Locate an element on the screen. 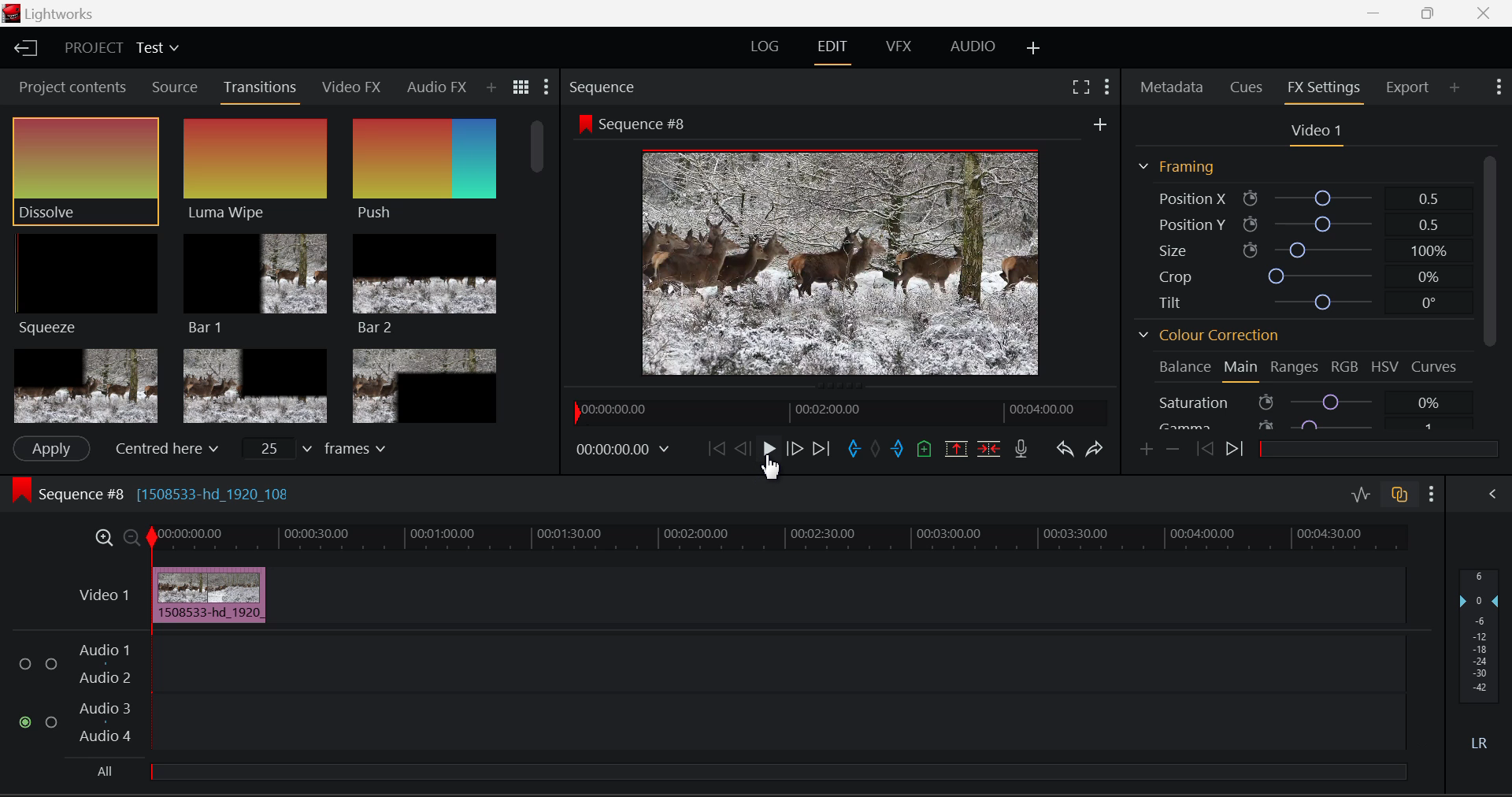 Image resolution: width=1512 pixels, height=797 pixels. Add keyframes is located at coordinates (1147, 450).